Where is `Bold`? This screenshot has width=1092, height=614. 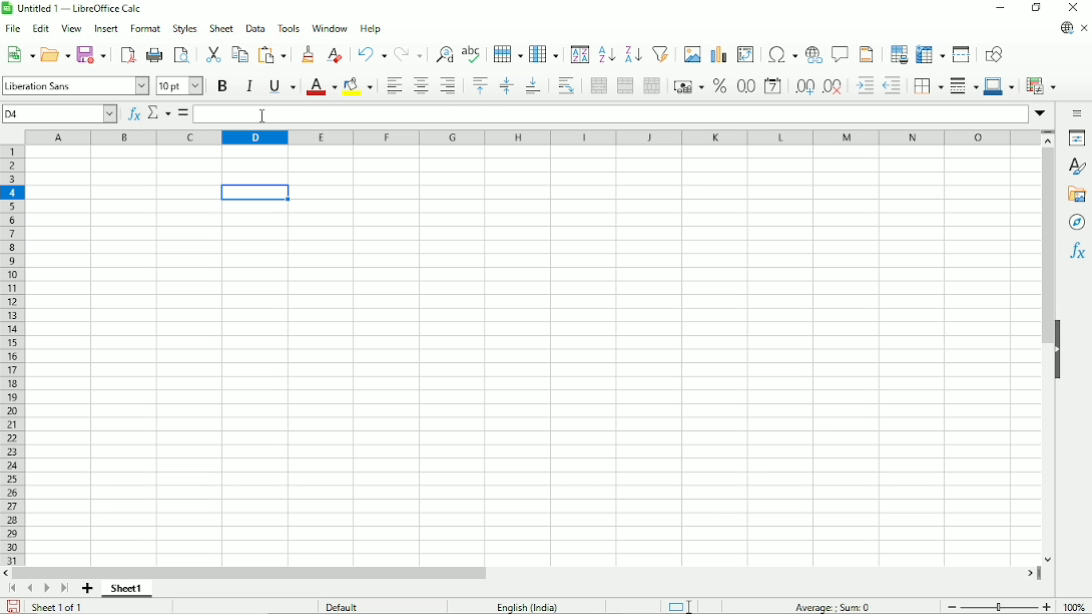
Bold is located at coordinates (221, 86).